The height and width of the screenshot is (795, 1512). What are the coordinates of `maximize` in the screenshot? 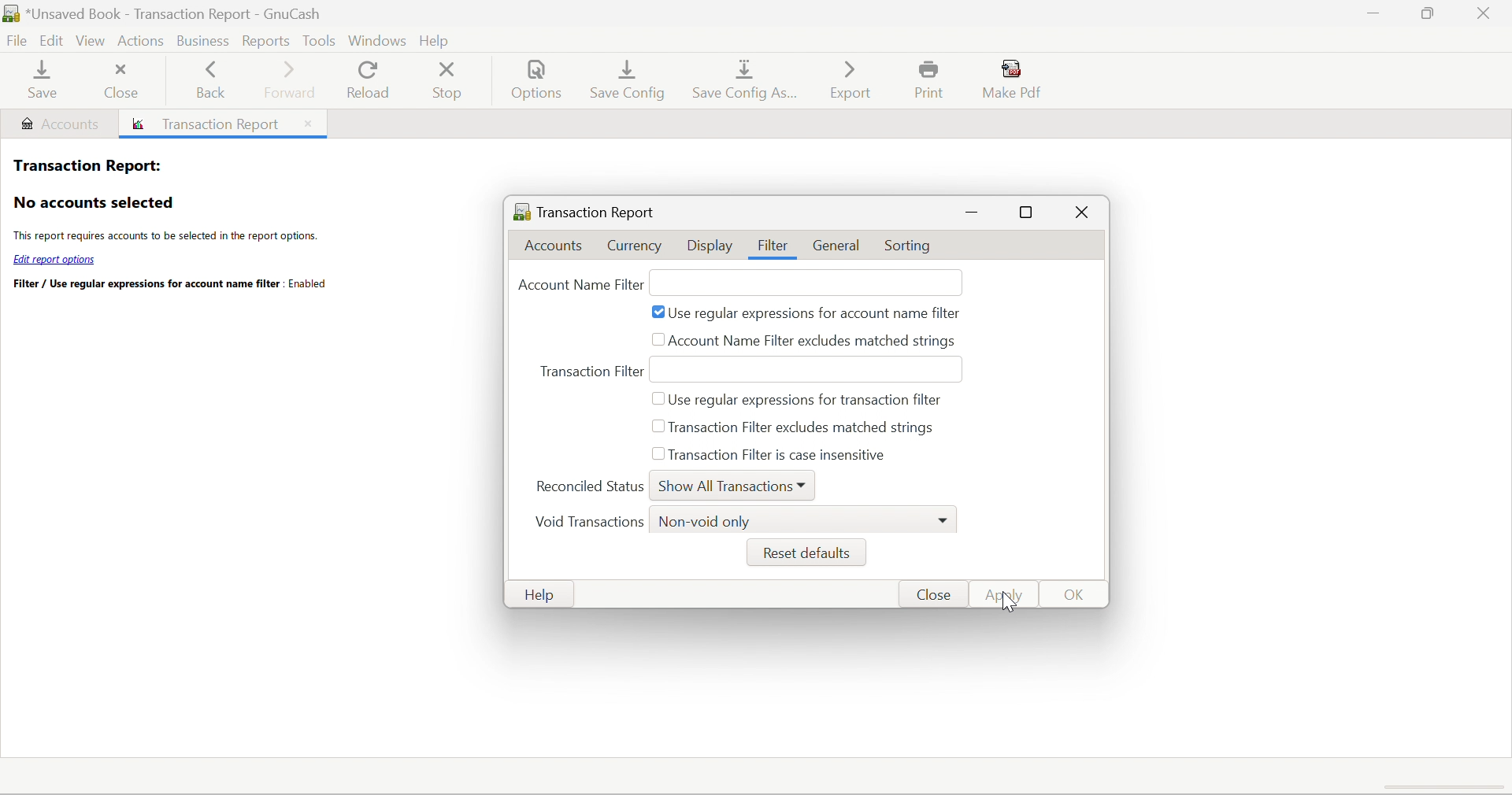 It's located at (1029, 214).